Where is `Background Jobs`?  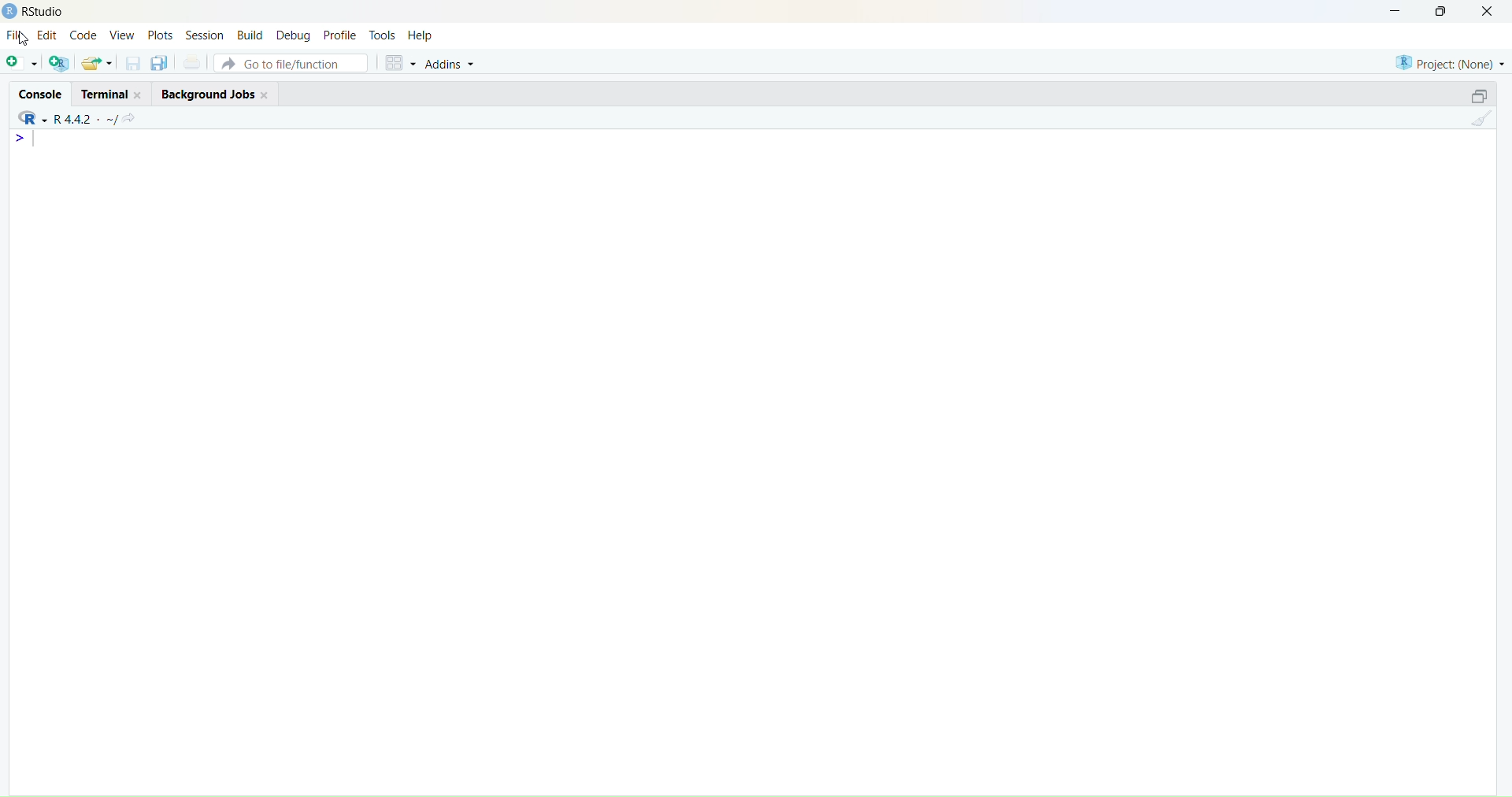
Background Jobs is located at coordinates (210, 92).